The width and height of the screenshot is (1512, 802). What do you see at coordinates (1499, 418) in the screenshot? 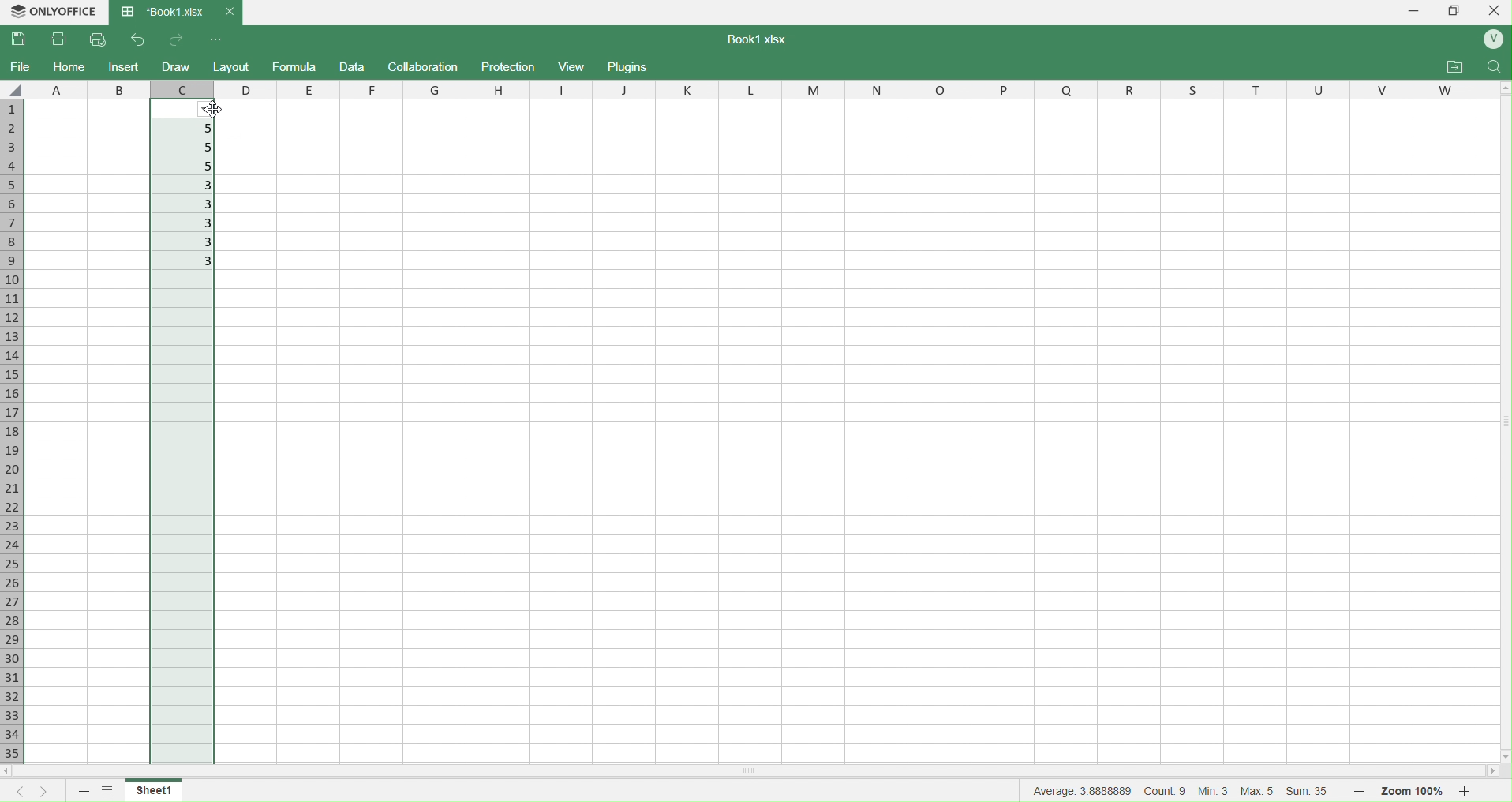
I see `Scrollbar` at bounding box center [1499, 418].